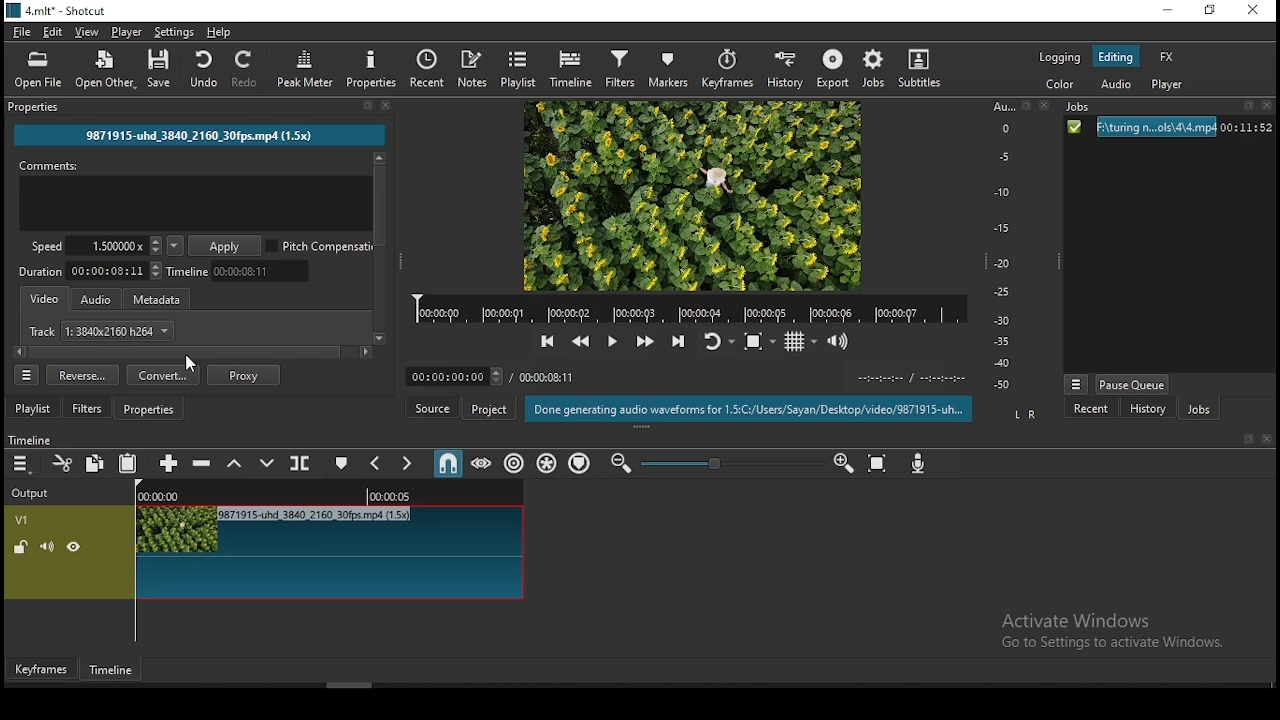  Describe the element at coordinates (483, 463) in the screenshot. I see `scrub while dragging` at that location.